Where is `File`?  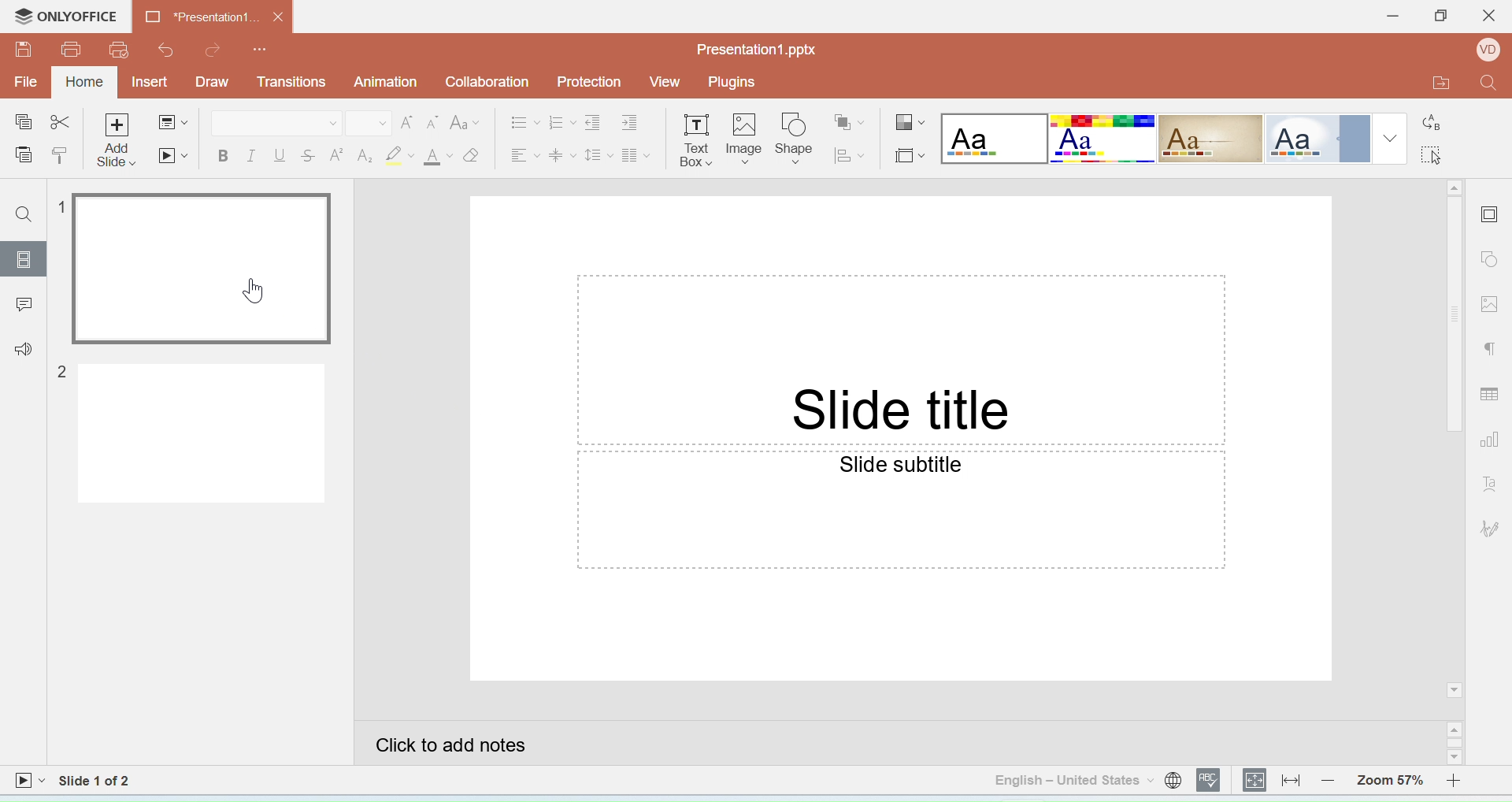 File is located at coordinates (28, 81).